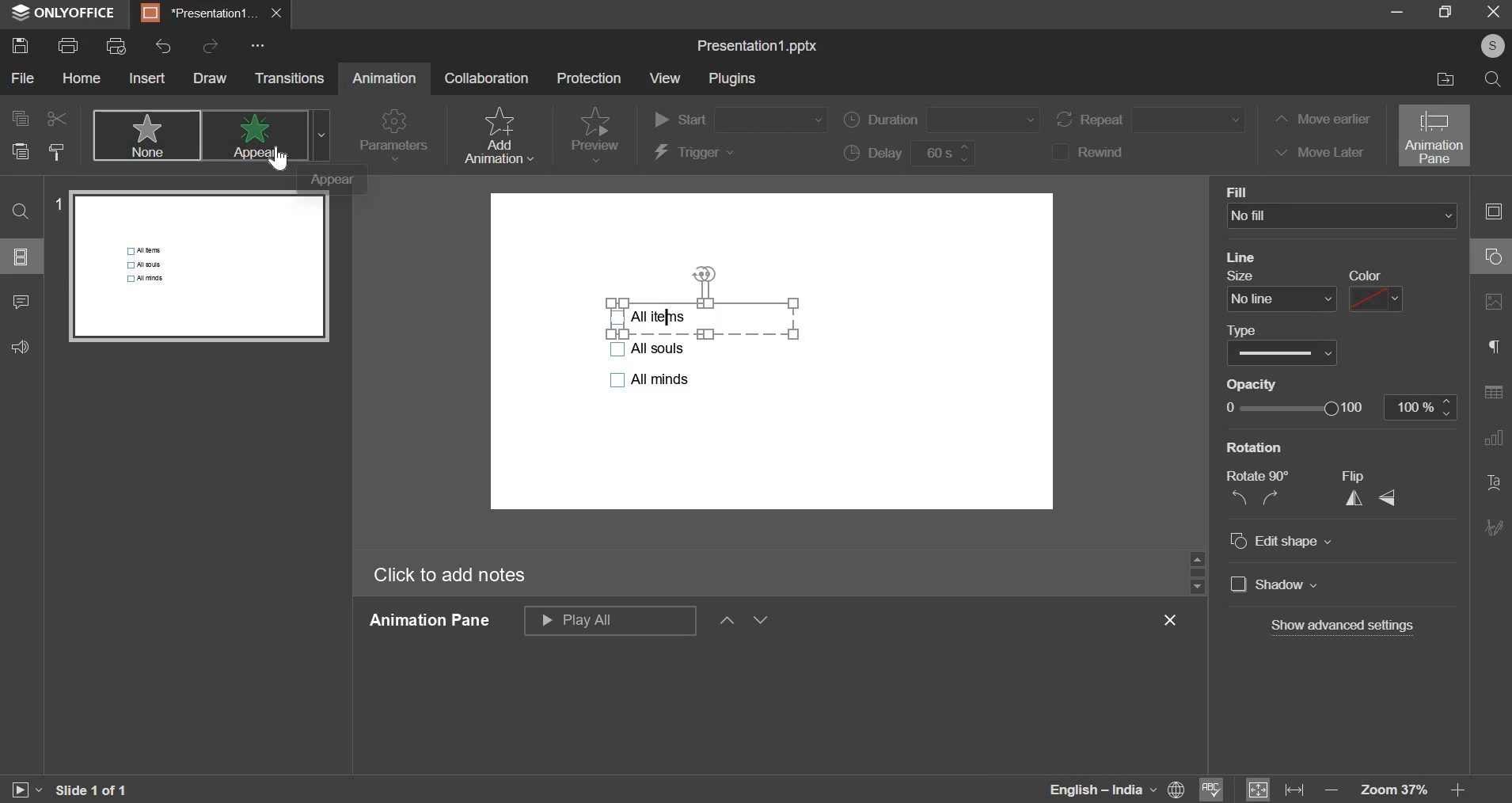 This screenshot has width=1512, height=803. I want to click on view, so click(666, 78).